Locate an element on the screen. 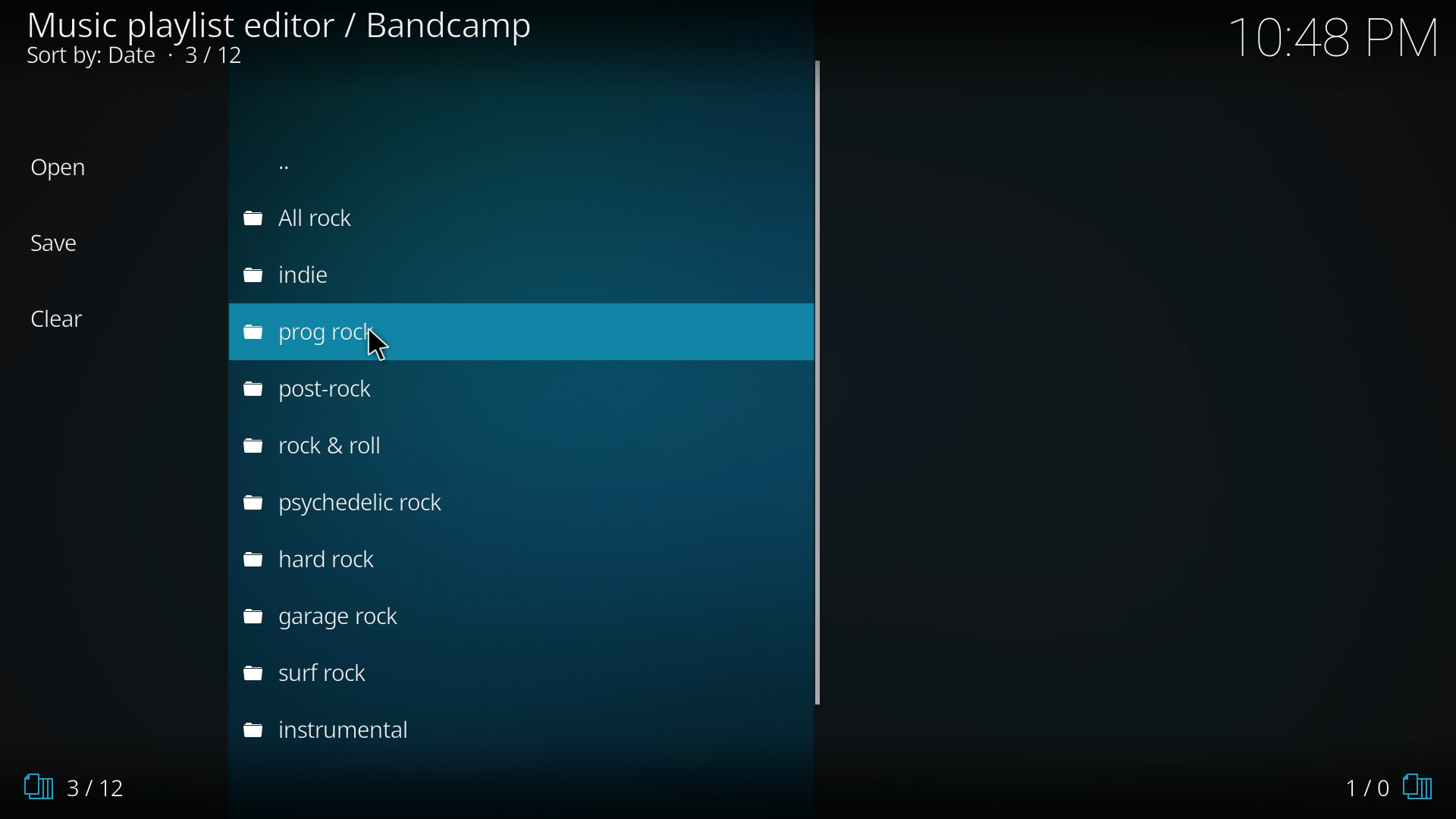 The width and height of the screenshot is (1456, 819). 3/12 is located at coordinates (89, 787).